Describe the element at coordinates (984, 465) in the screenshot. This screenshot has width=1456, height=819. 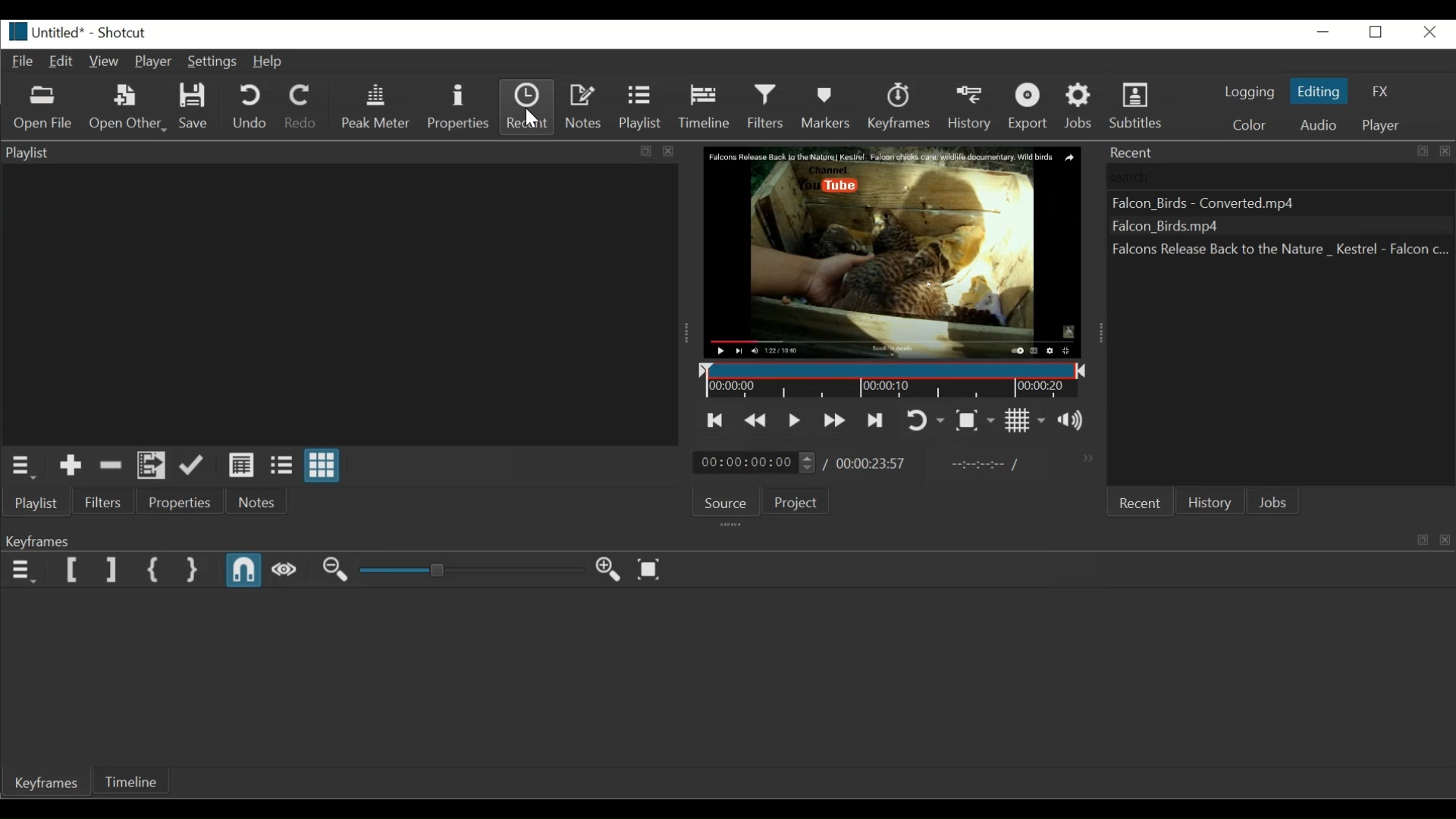
I see `In Point` at that location.